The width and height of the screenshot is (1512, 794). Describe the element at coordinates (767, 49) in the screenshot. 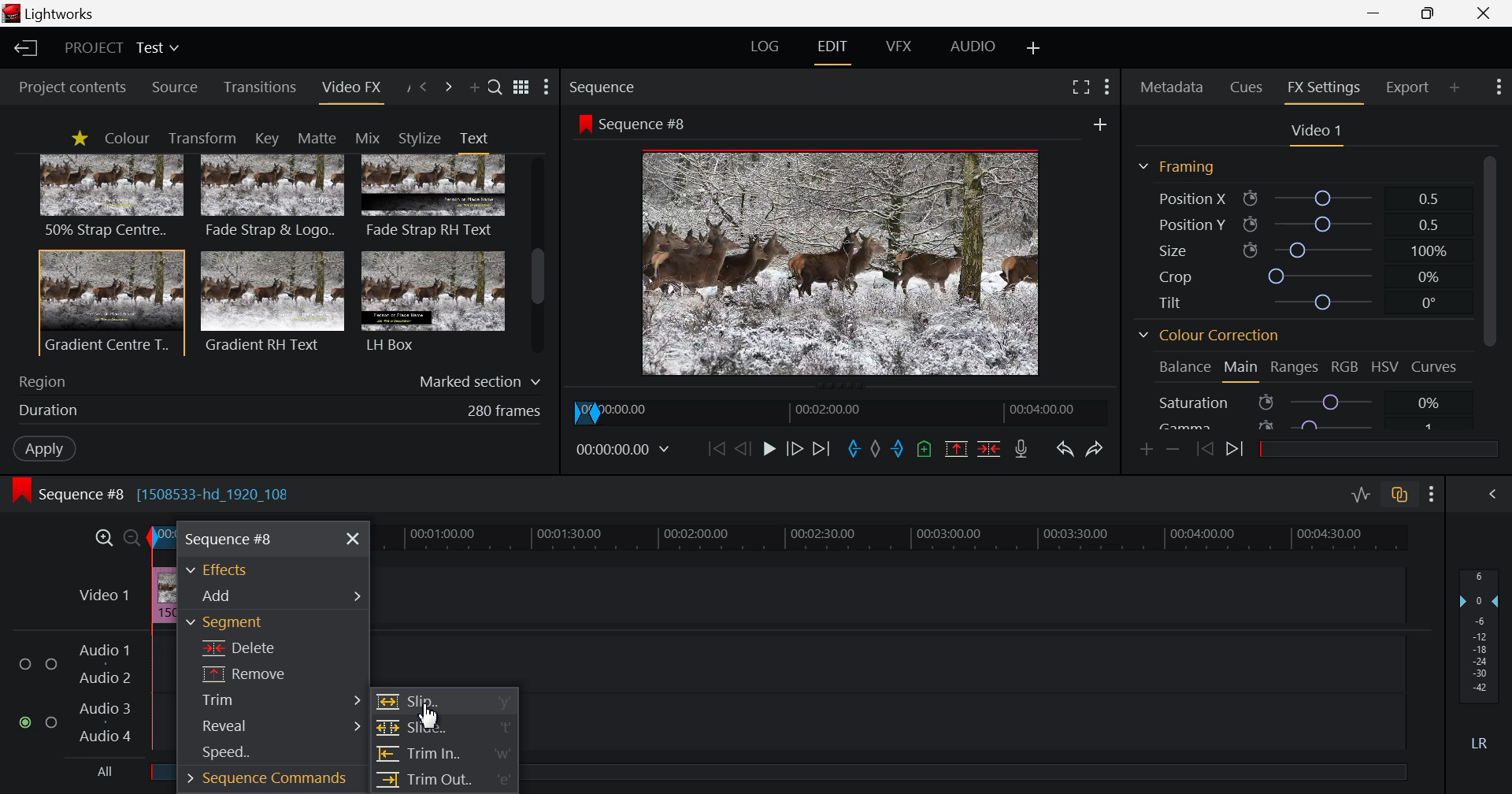

I see `LOG Layout` at that location.